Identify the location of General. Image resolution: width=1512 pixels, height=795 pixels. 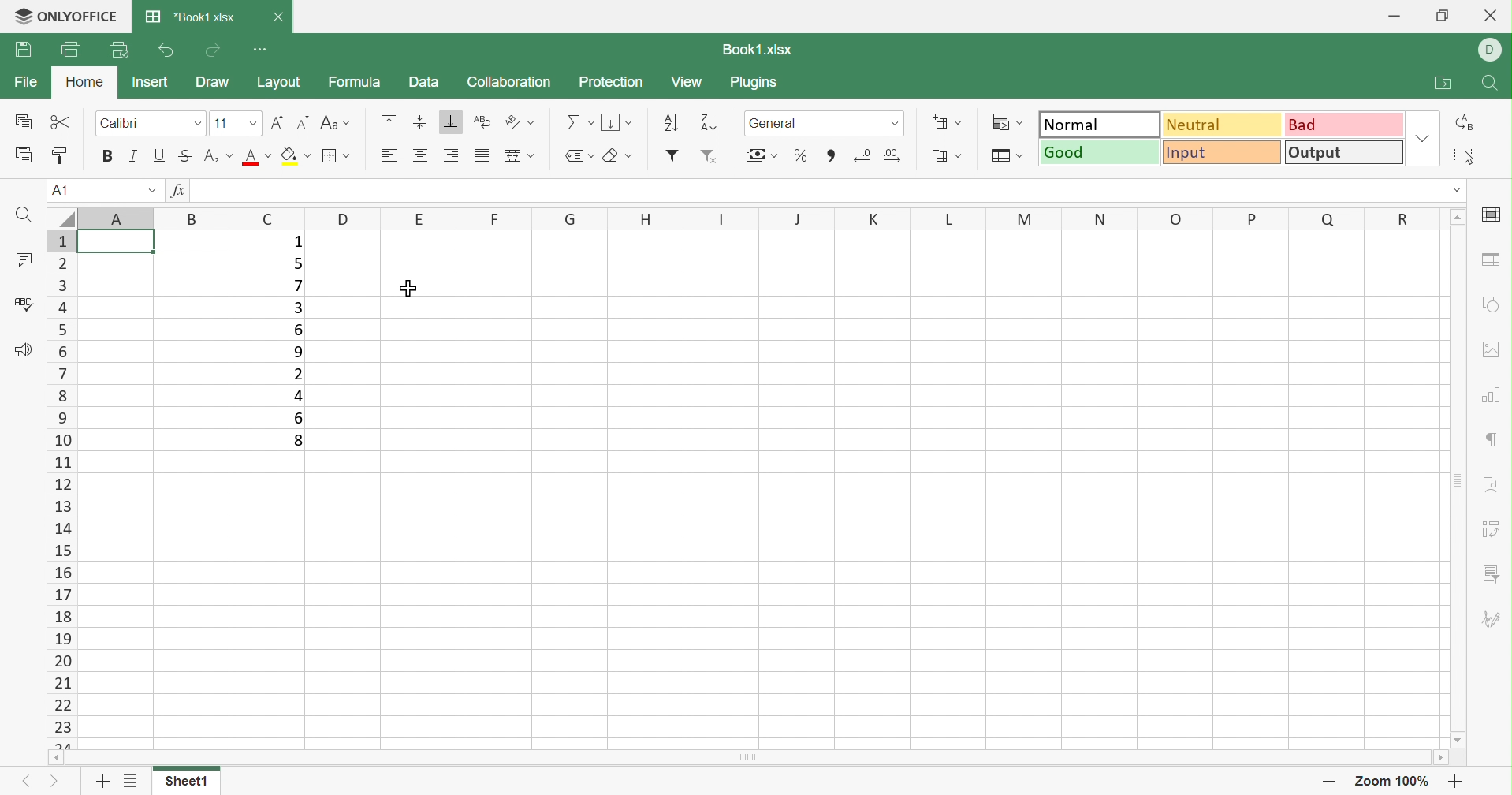
(776, 125).